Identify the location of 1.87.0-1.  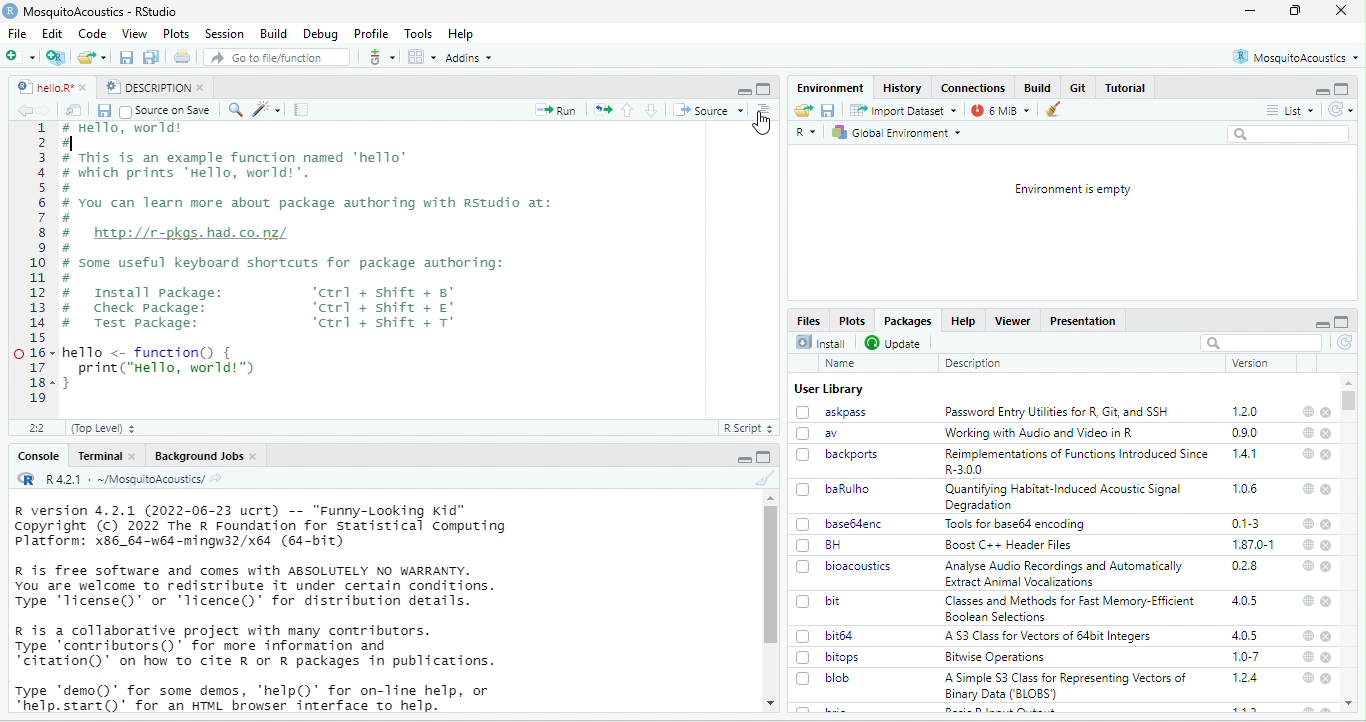
(1255, 544).